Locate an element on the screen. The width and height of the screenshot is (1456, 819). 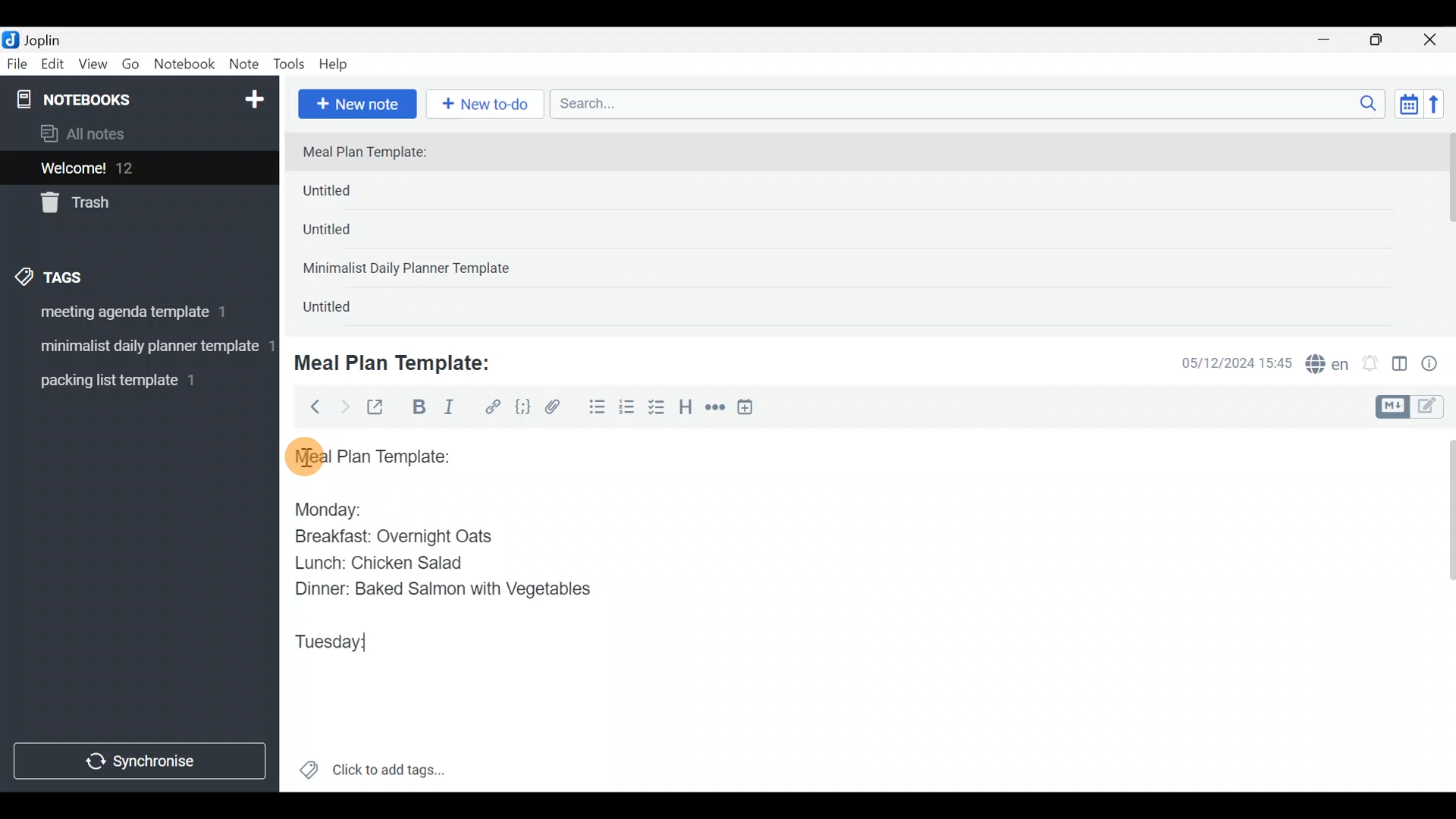
Go is located at coordinates (130, 67).